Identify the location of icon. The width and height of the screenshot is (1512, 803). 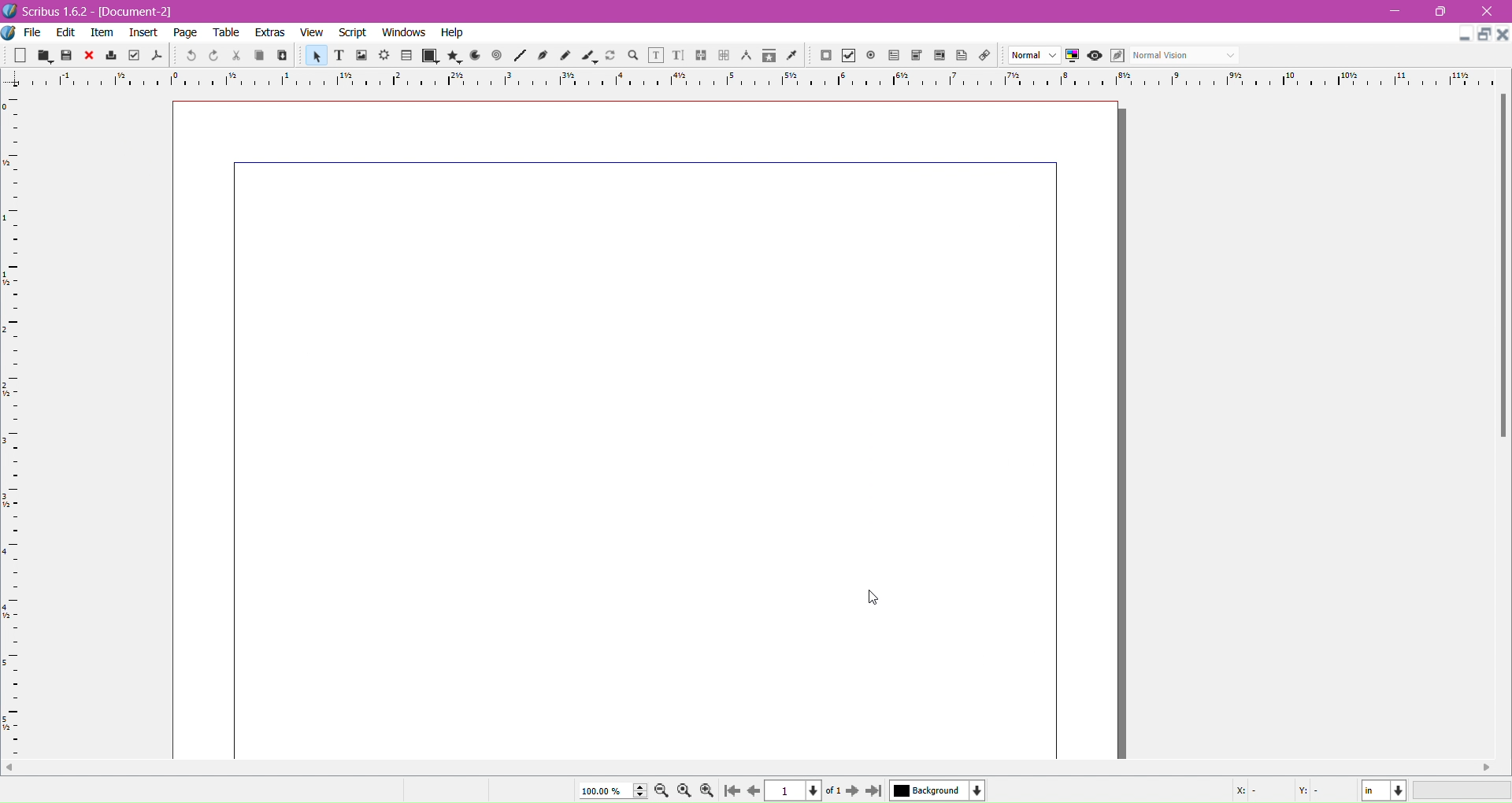
(673, 57).